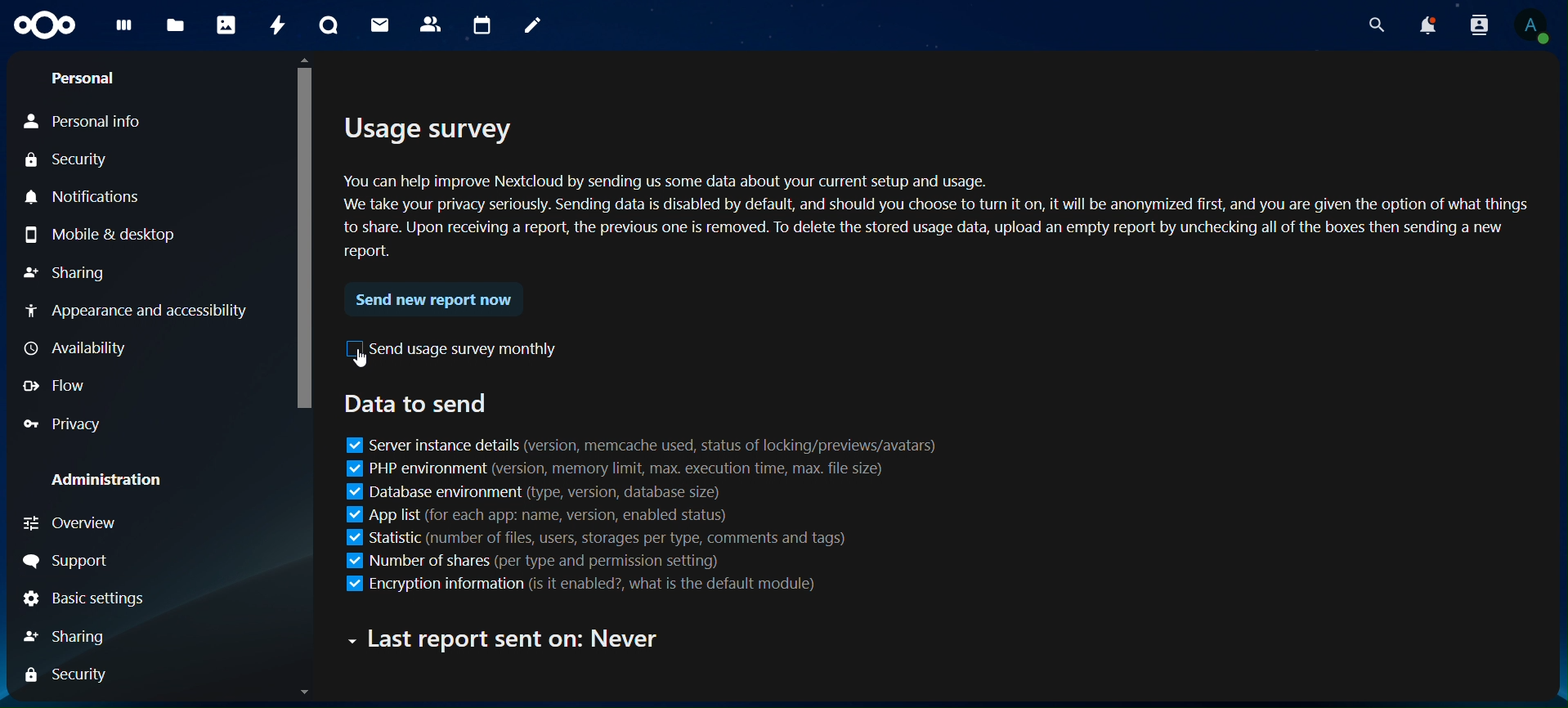 The width and height of the screenshot is (1568, 708). What do you see at coordinates (43, 25) in the screenshot?
I see `icon` at bounding box center [43, 25].